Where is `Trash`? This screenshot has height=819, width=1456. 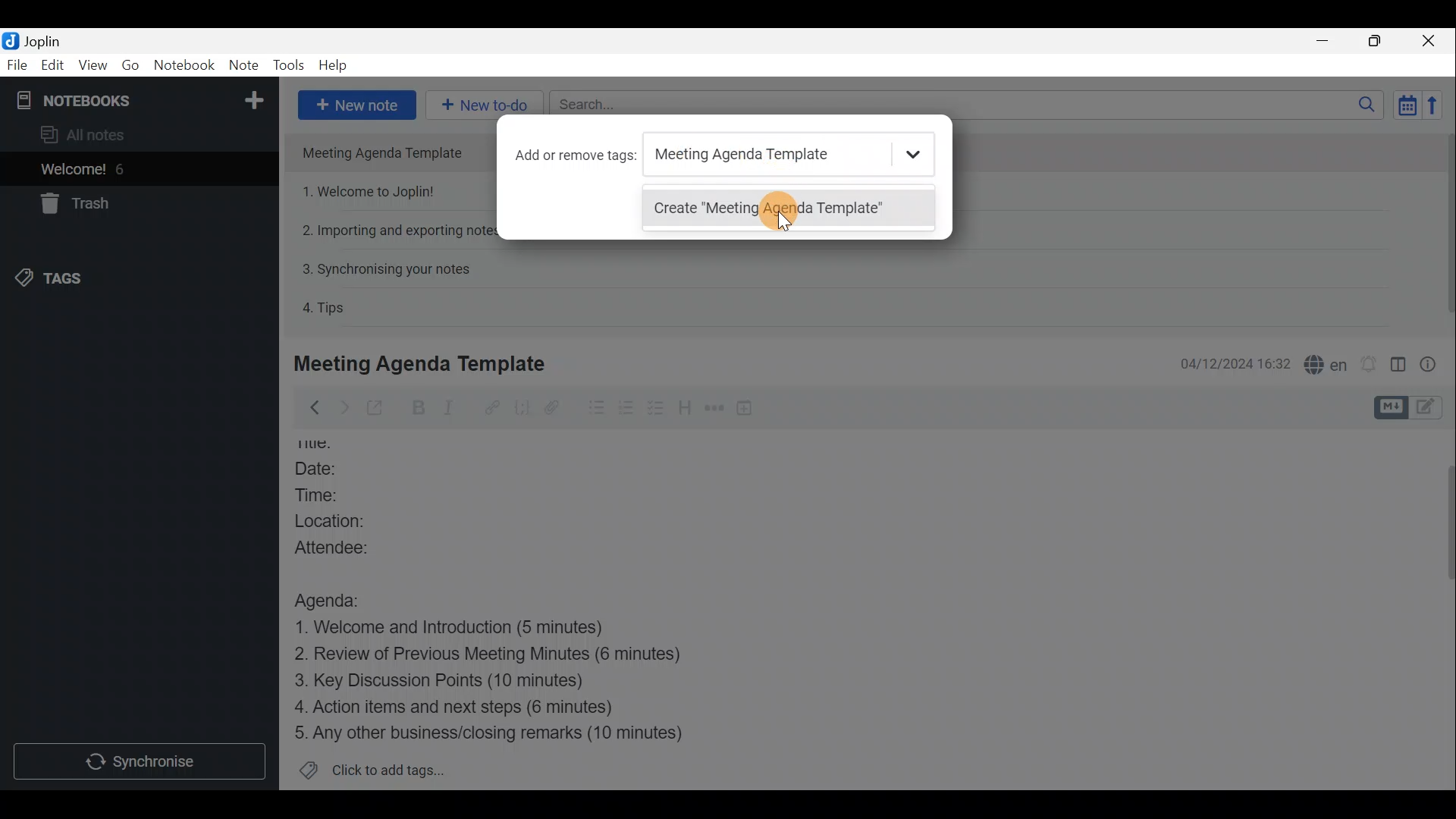 Trash is located at coordinates (72, 203).